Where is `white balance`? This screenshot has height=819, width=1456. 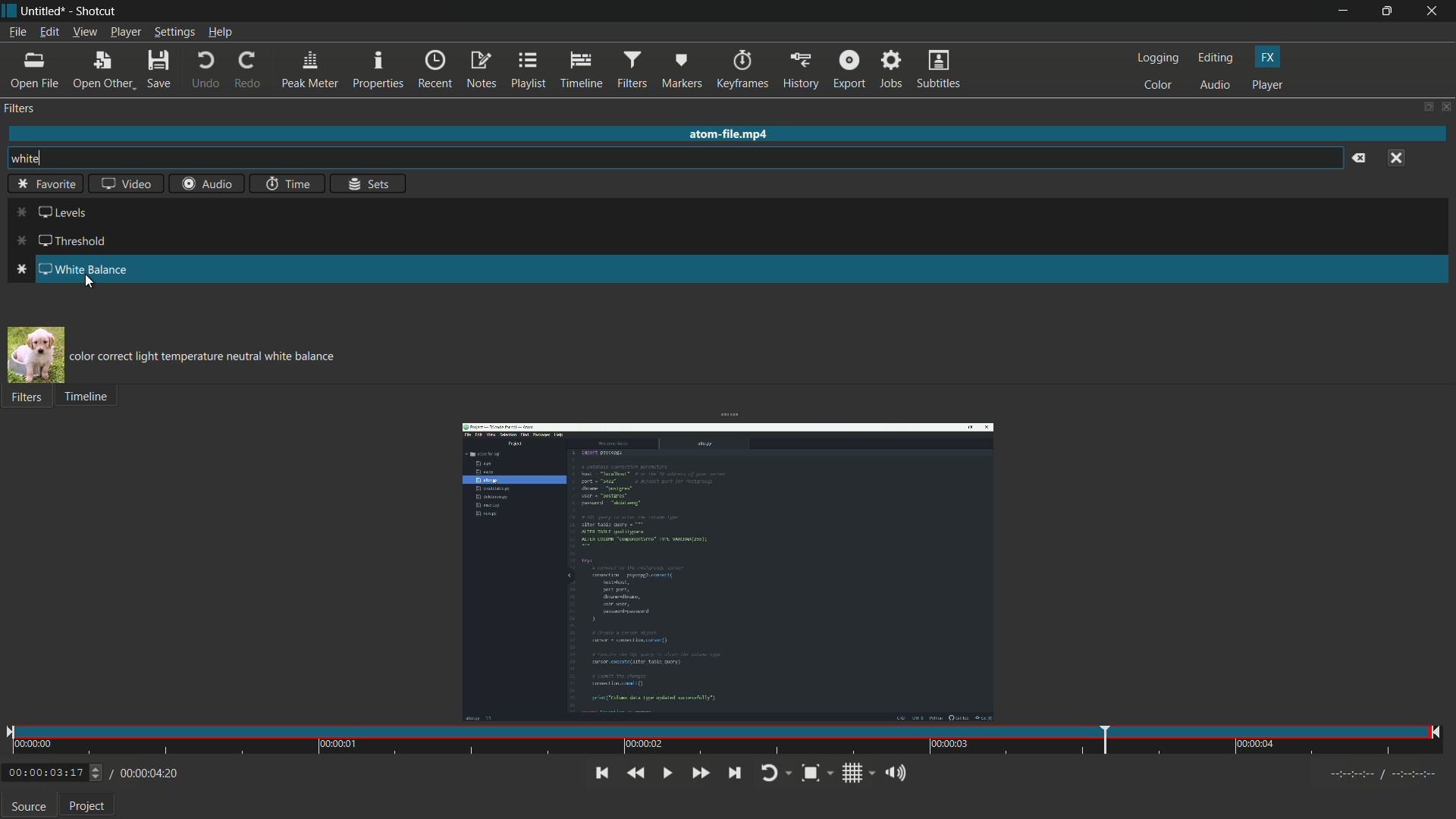
white balance is located at coordinates (70, 268).